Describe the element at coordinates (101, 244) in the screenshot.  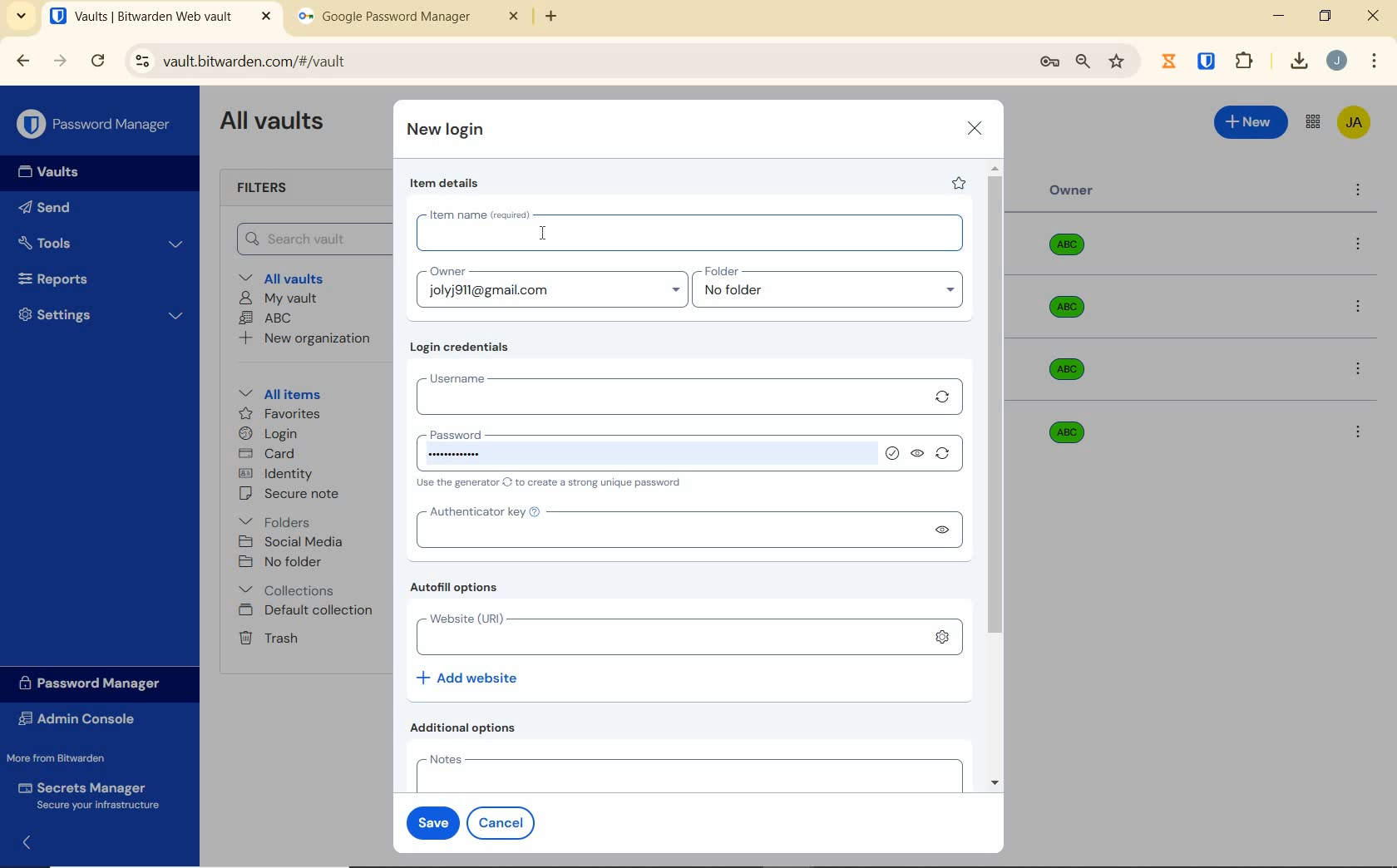
I see `Tools` at that location.